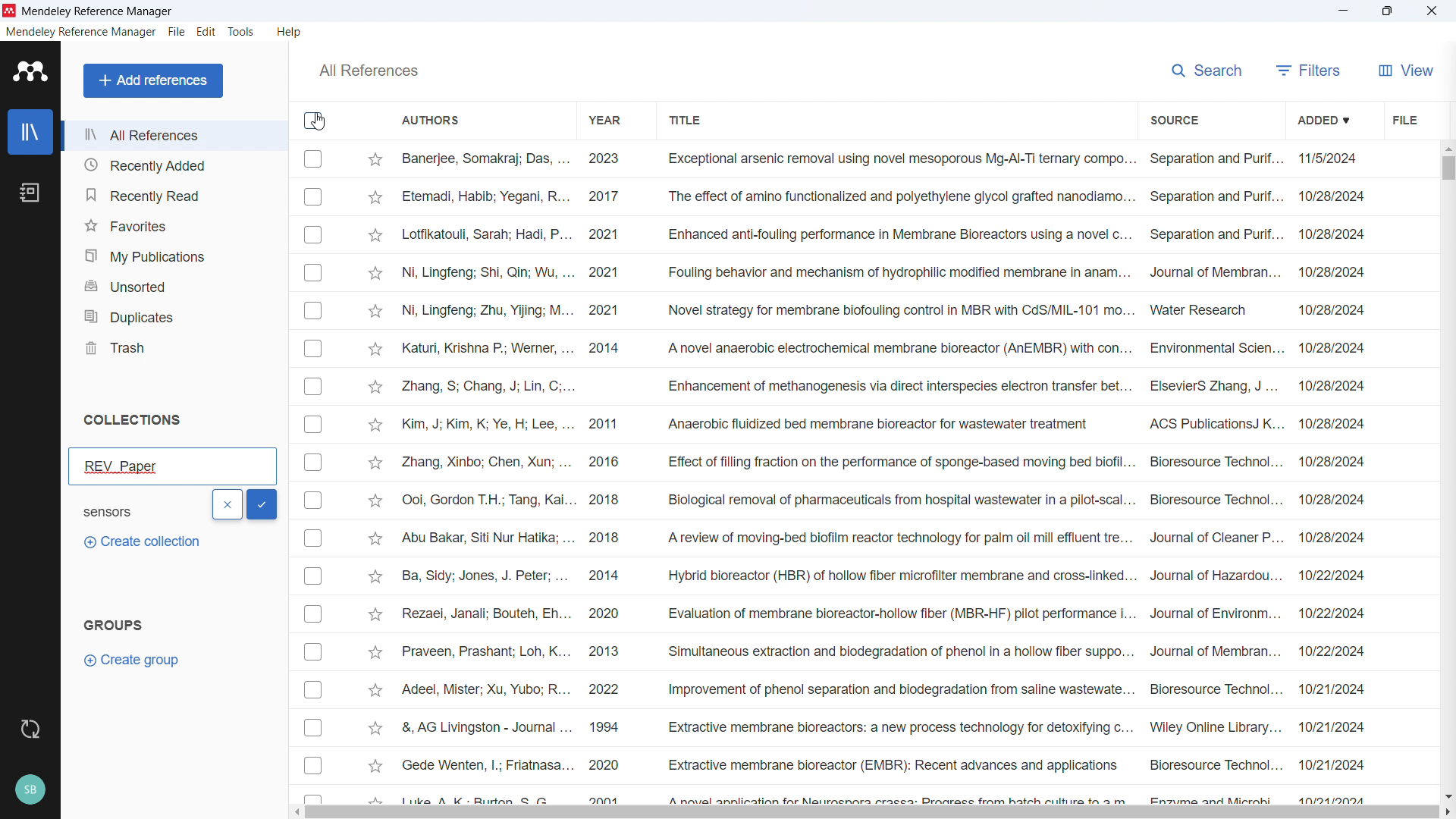 The image size is (1456, 819). Describe the element at coordinates (376, 615) in the screenshot. I see `Star mark respective publication` at that location.